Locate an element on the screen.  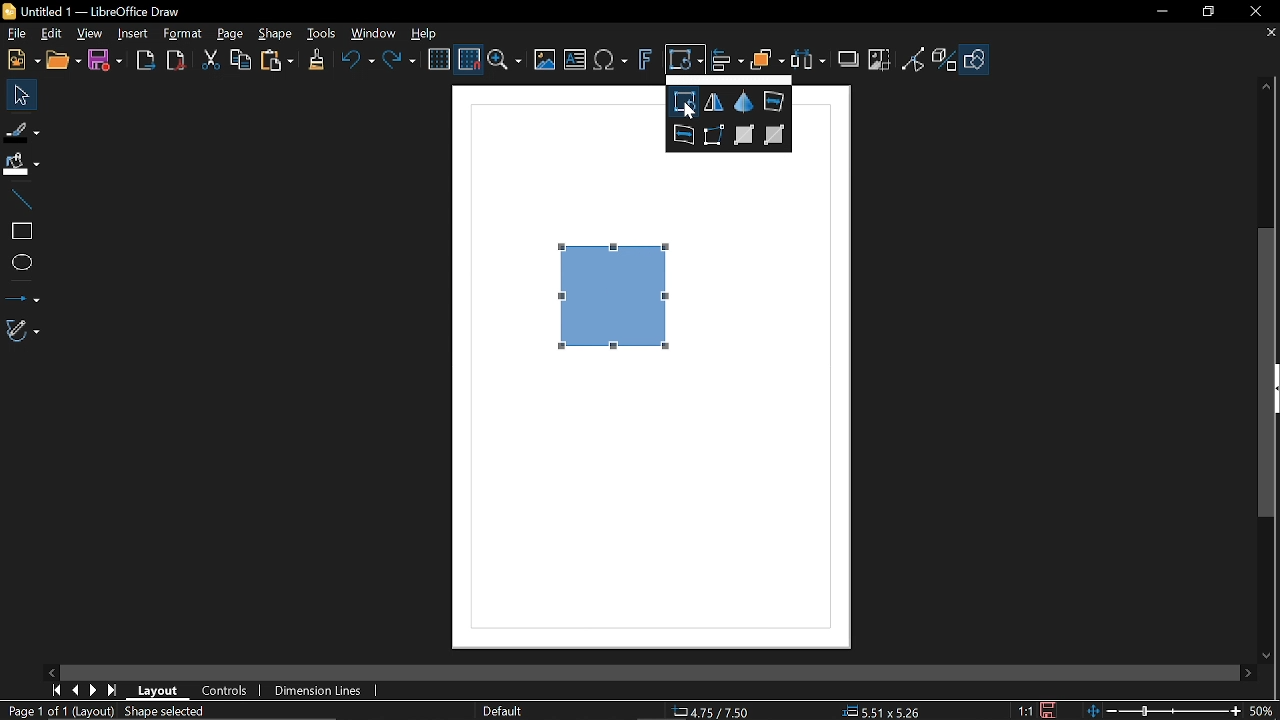
Toggle extrusion is located at coordinates (945, 59).